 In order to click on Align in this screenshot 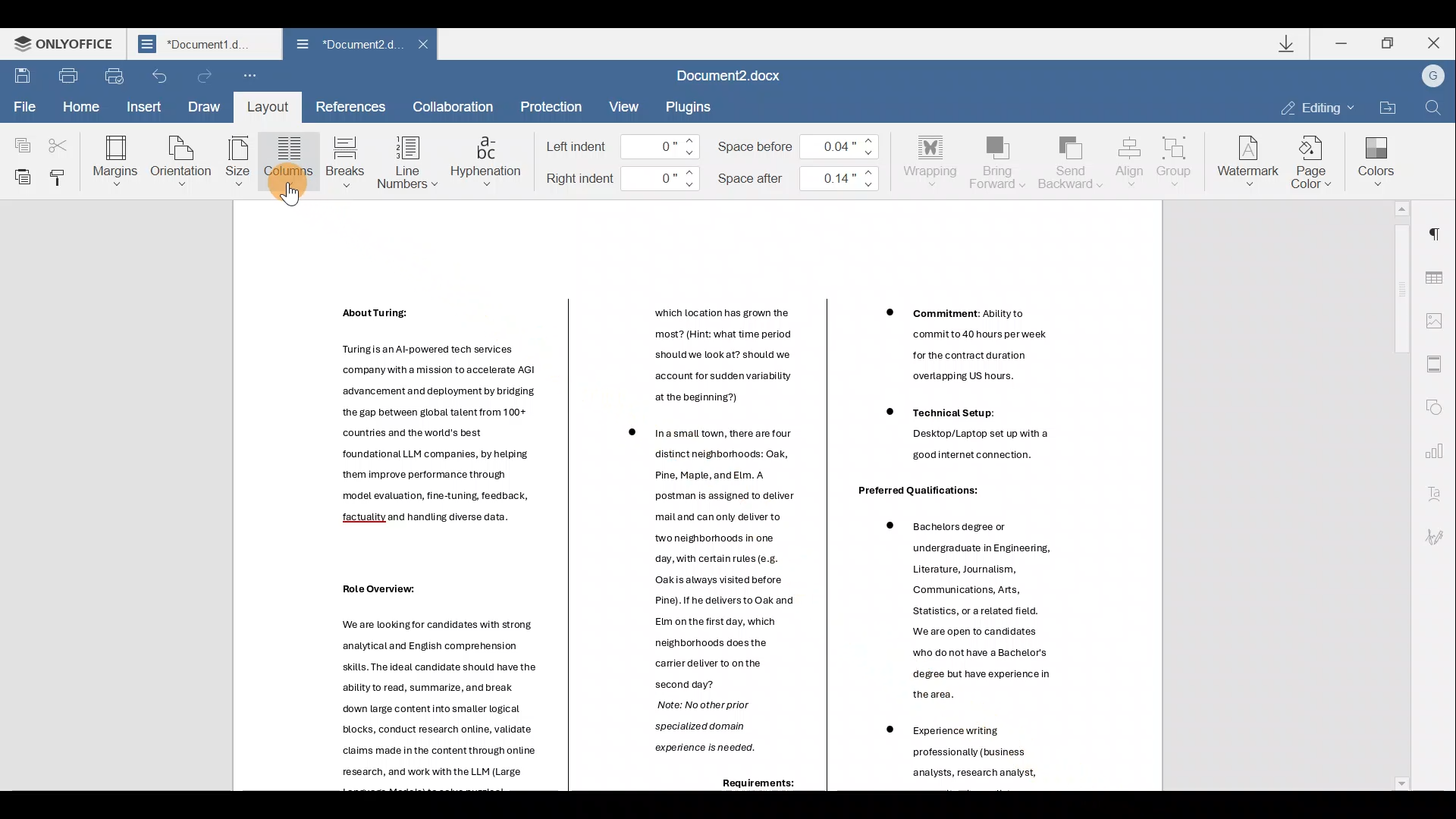, I will do `click(1130, 160)`.